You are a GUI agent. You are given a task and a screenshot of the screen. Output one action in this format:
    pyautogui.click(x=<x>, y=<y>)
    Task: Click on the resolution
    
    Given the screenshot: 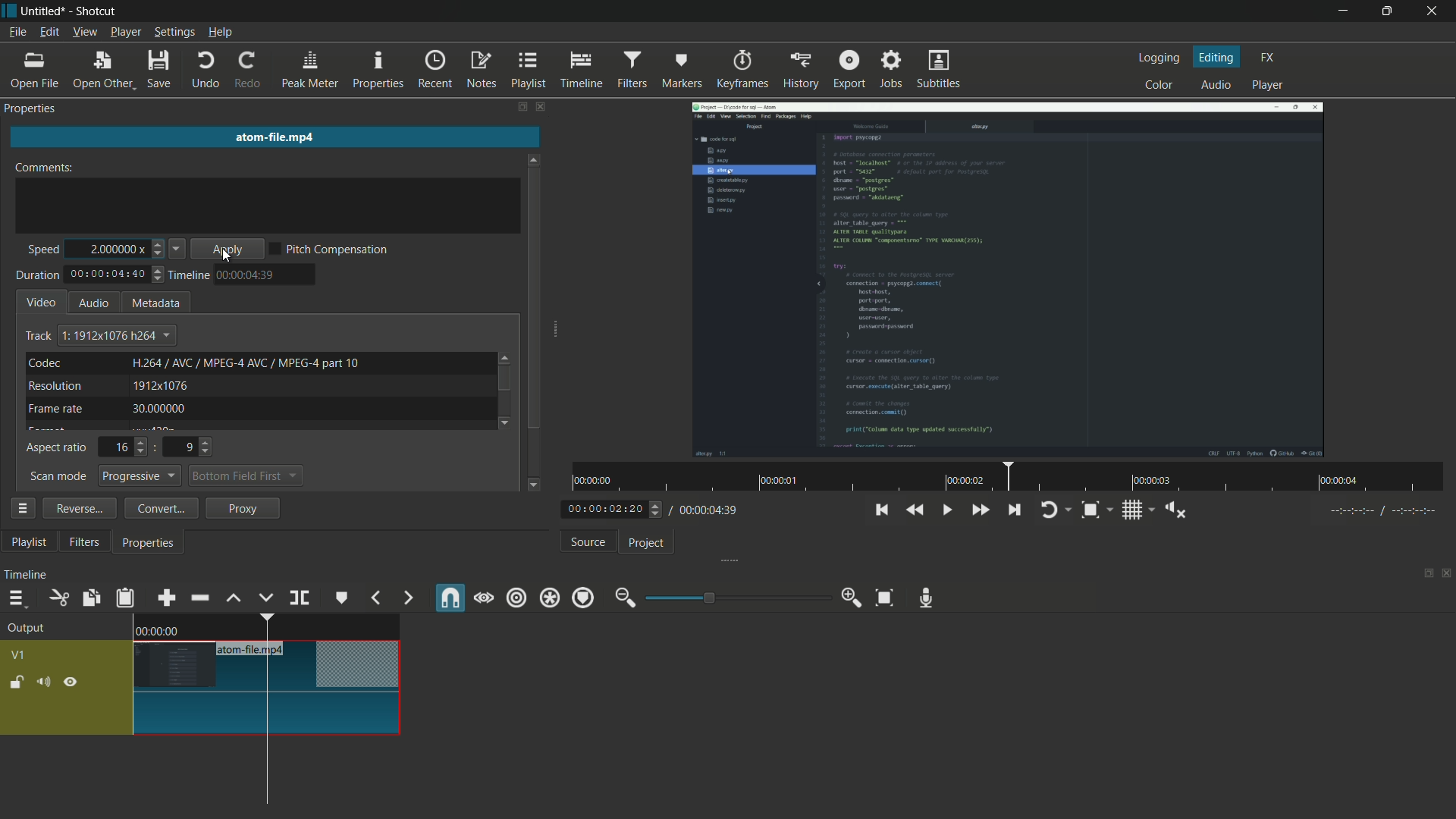 What is the action you would take?
    pyautogui.click(x=55, y=386)
    